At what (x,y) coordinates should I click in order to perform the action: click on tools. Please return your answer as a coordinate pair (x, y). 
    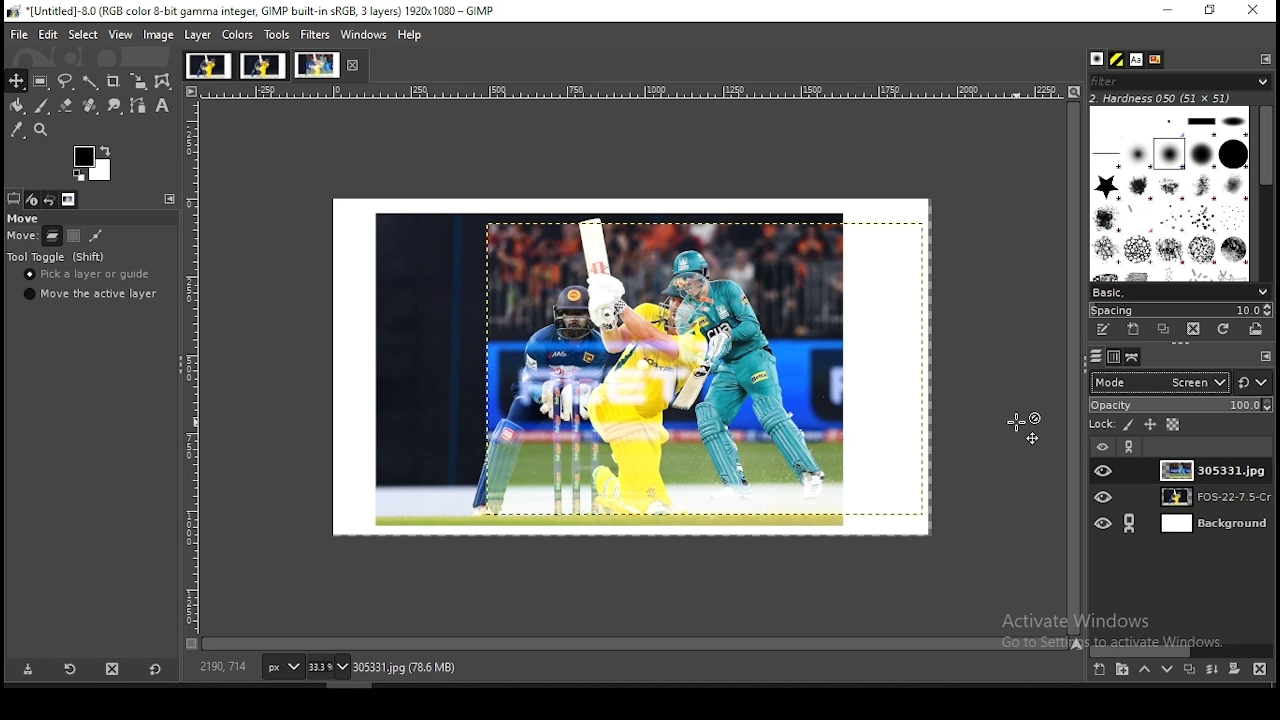
    Looking at the image, I should click on (278, 34).